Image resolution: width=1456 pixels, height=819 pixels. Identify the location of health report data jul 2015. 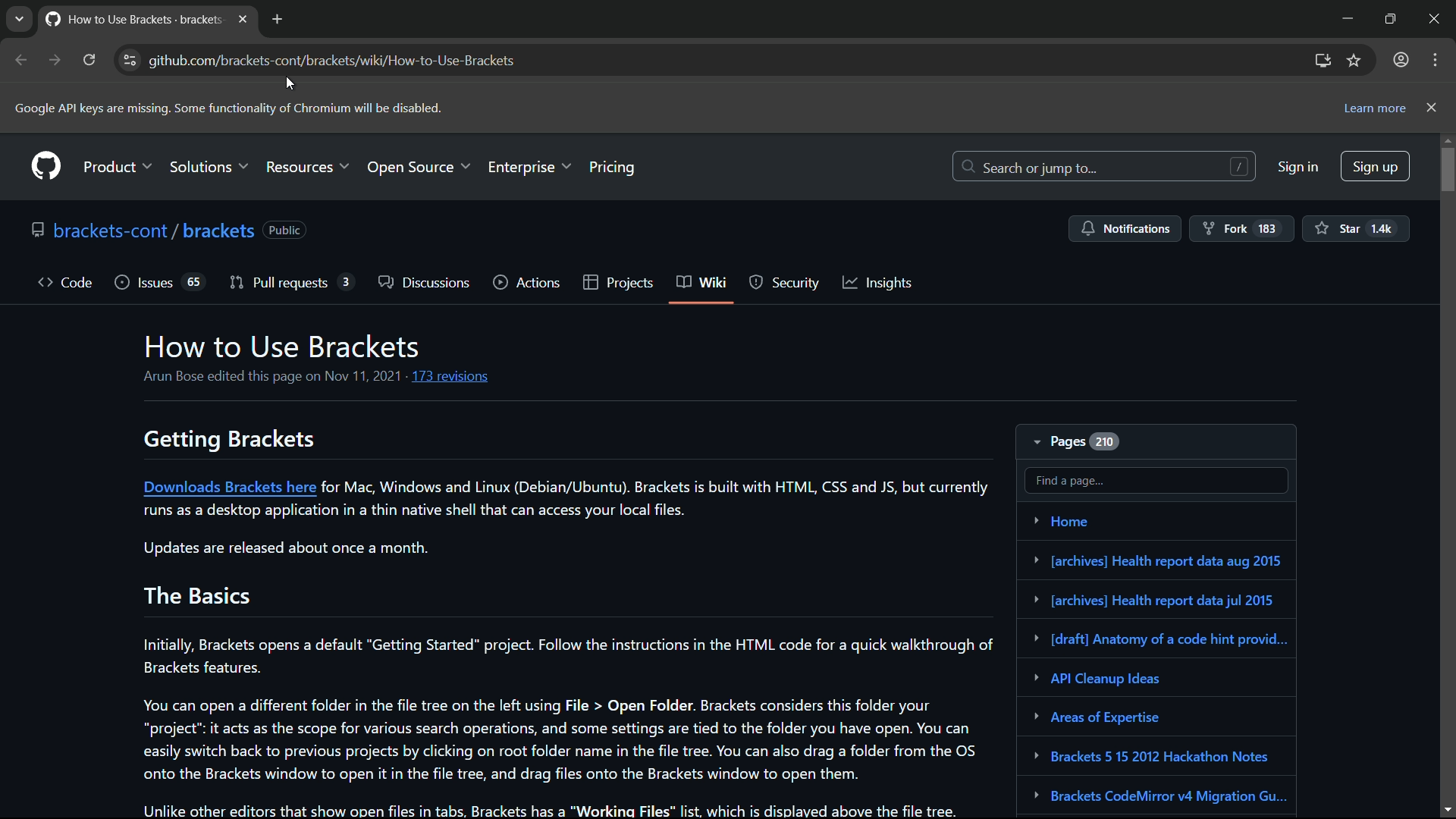
(1151, 598).